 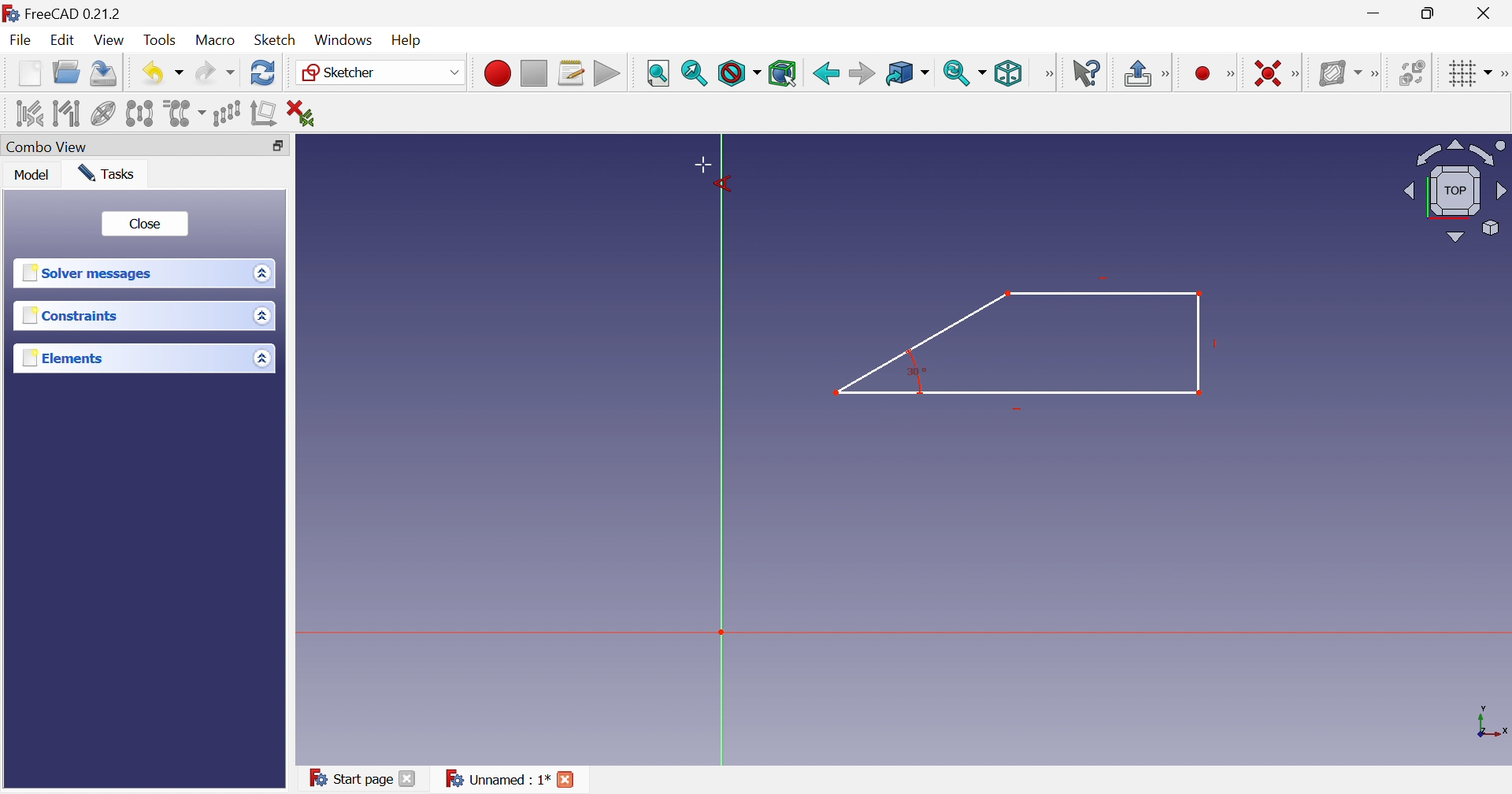 What do you see at coordinates (263, 317) in the screenshot?
I see `Drop Down` at bounding box center [263, 317].